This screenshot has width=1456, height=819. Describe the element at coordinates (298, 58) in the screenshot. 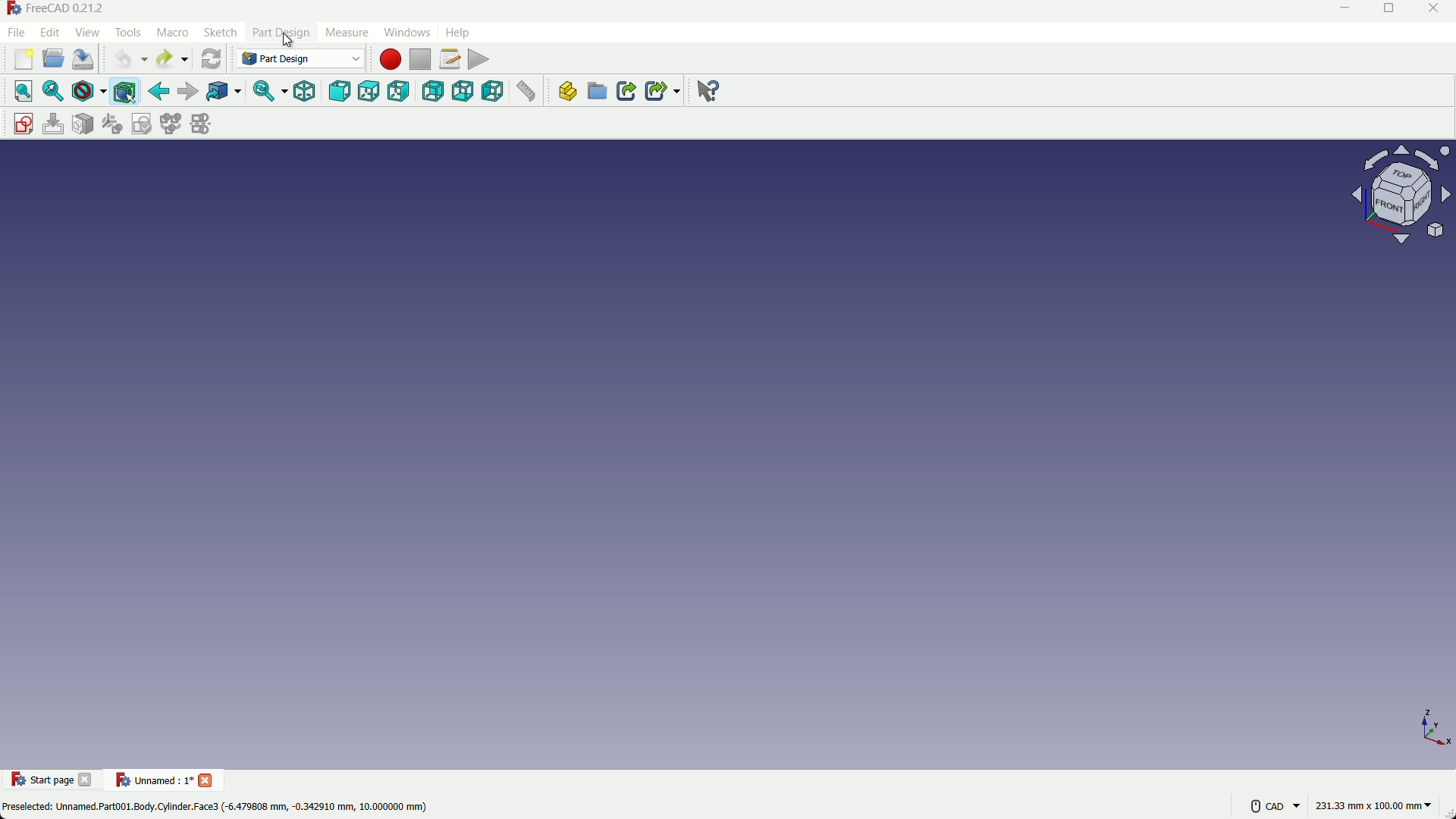

I see `switch workbenches` at that location.